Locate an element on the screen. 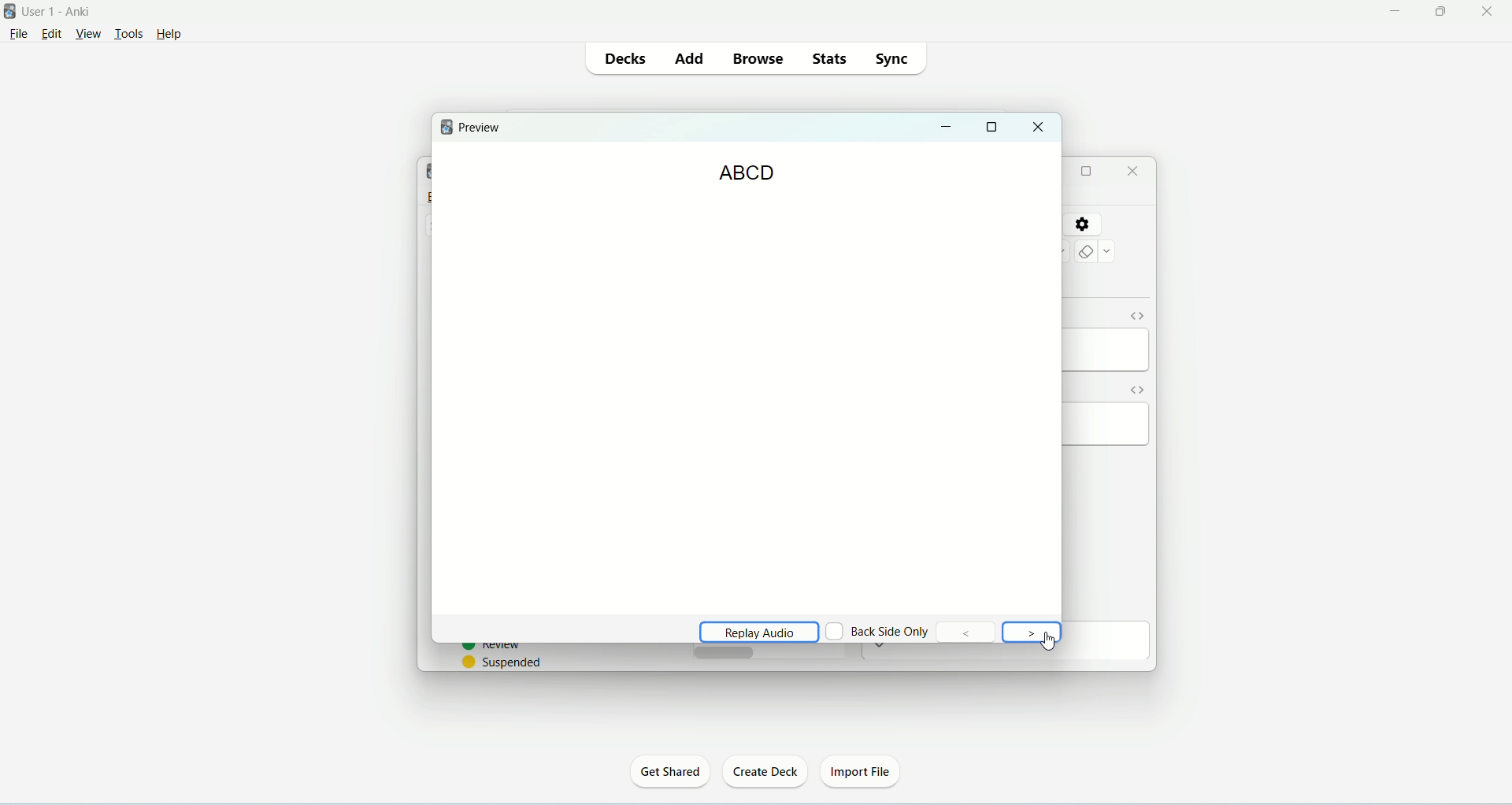 The image size is (1512, 805). get shared is located at coordinates (669, 771).